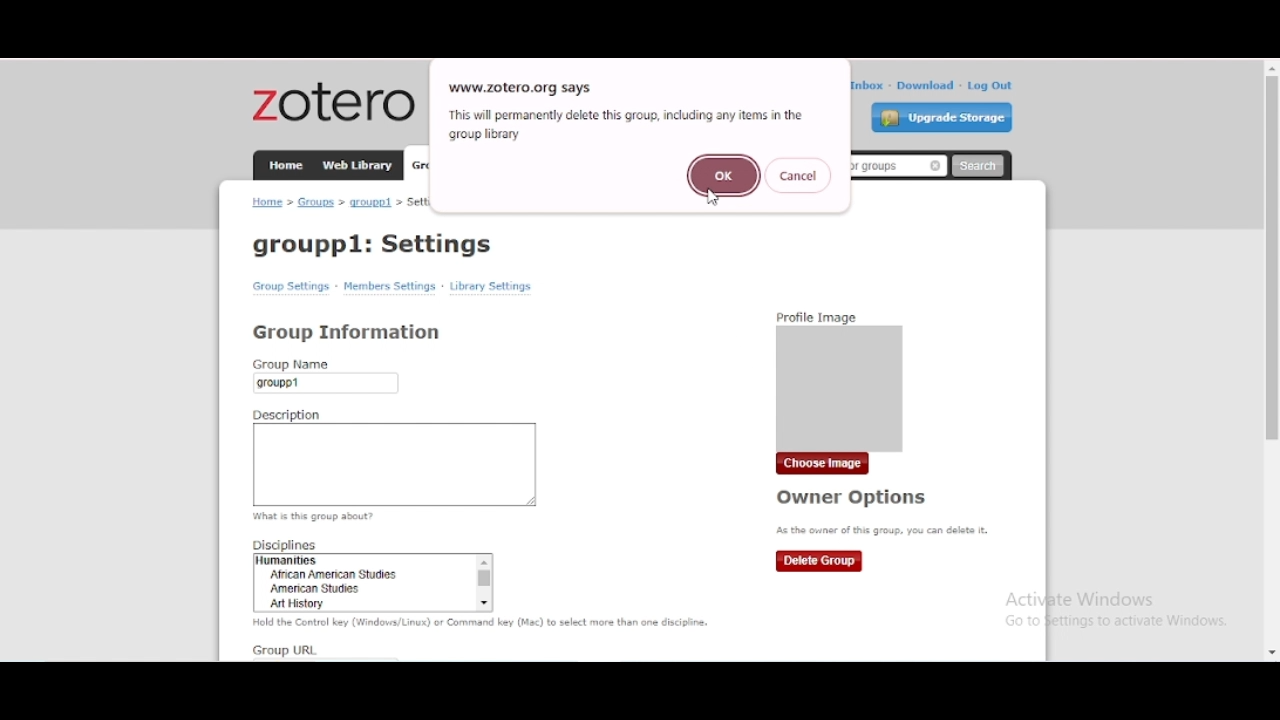  I want to click on search, so click(978, 166).